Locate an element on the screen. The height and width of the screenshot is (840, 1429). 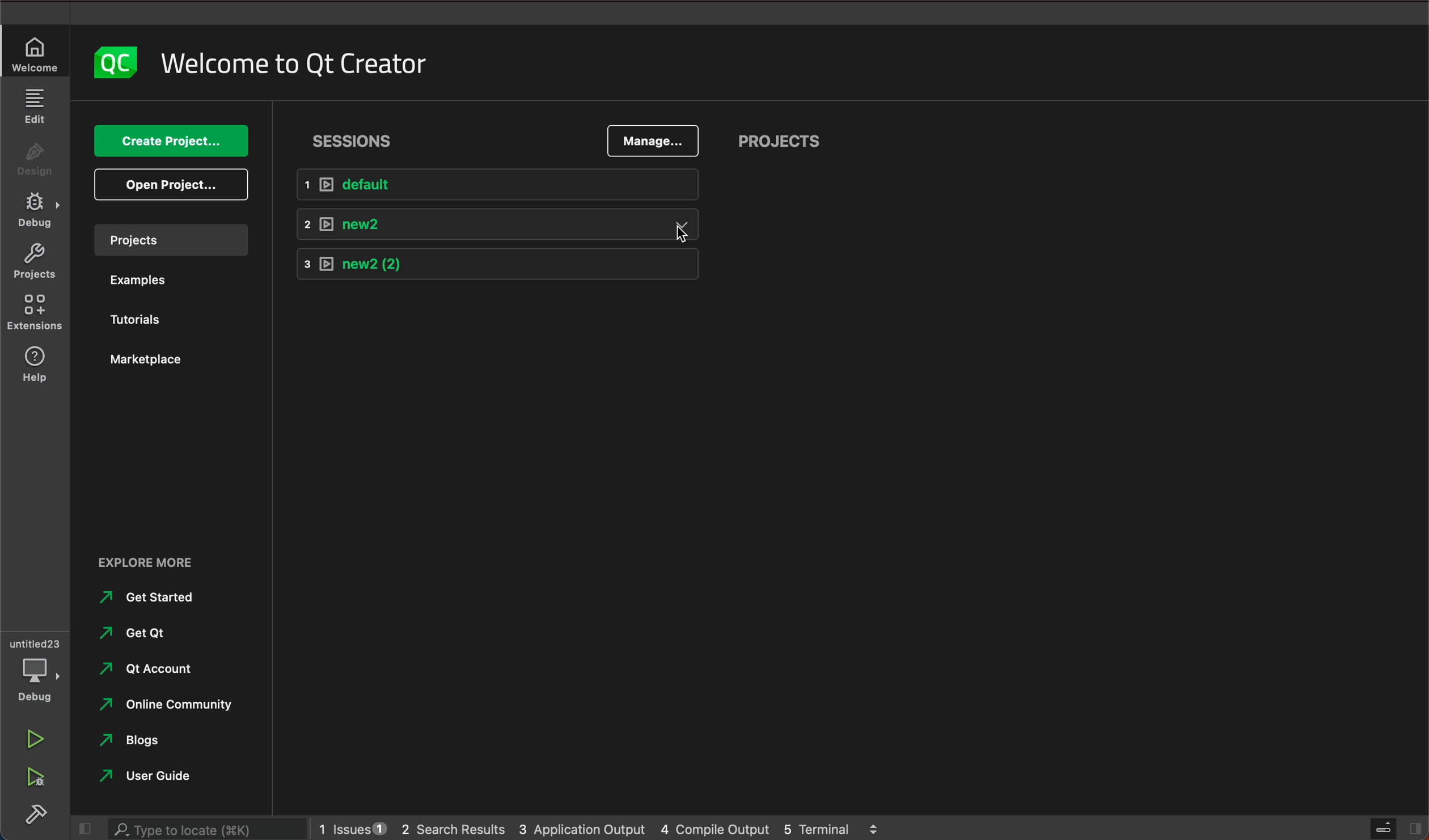
 Get Started is located at coordinates (157, 599).